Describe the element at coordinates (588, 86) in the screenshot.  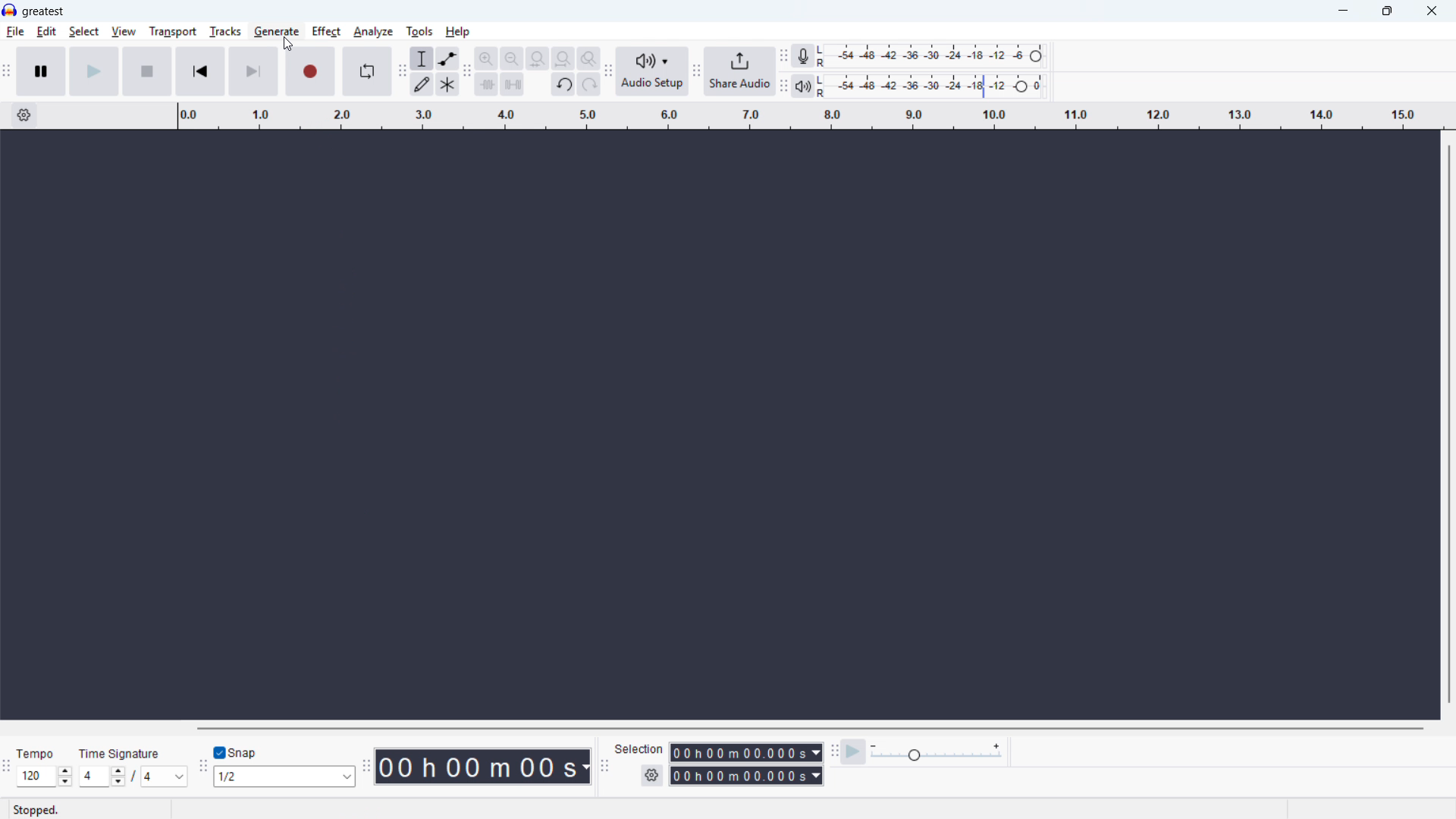
I see `redo` at that location.